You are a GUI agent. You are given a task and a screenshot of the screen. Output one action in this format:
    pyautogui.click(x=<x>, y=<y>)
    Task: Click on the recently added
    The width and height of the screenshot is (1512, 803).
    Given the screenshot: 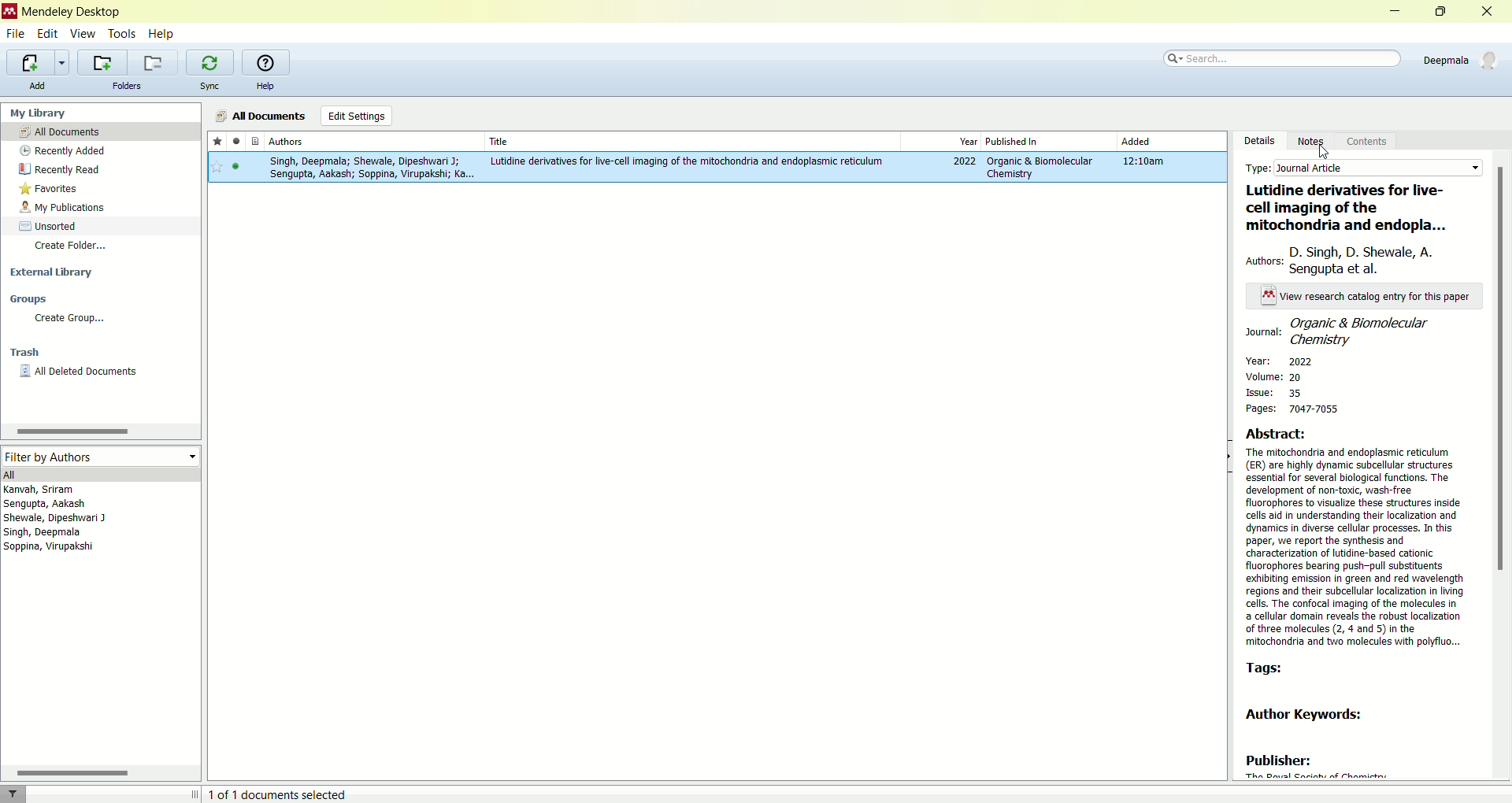 What is the action you would take?
    pyautogui.click(x=99, y=151)
    